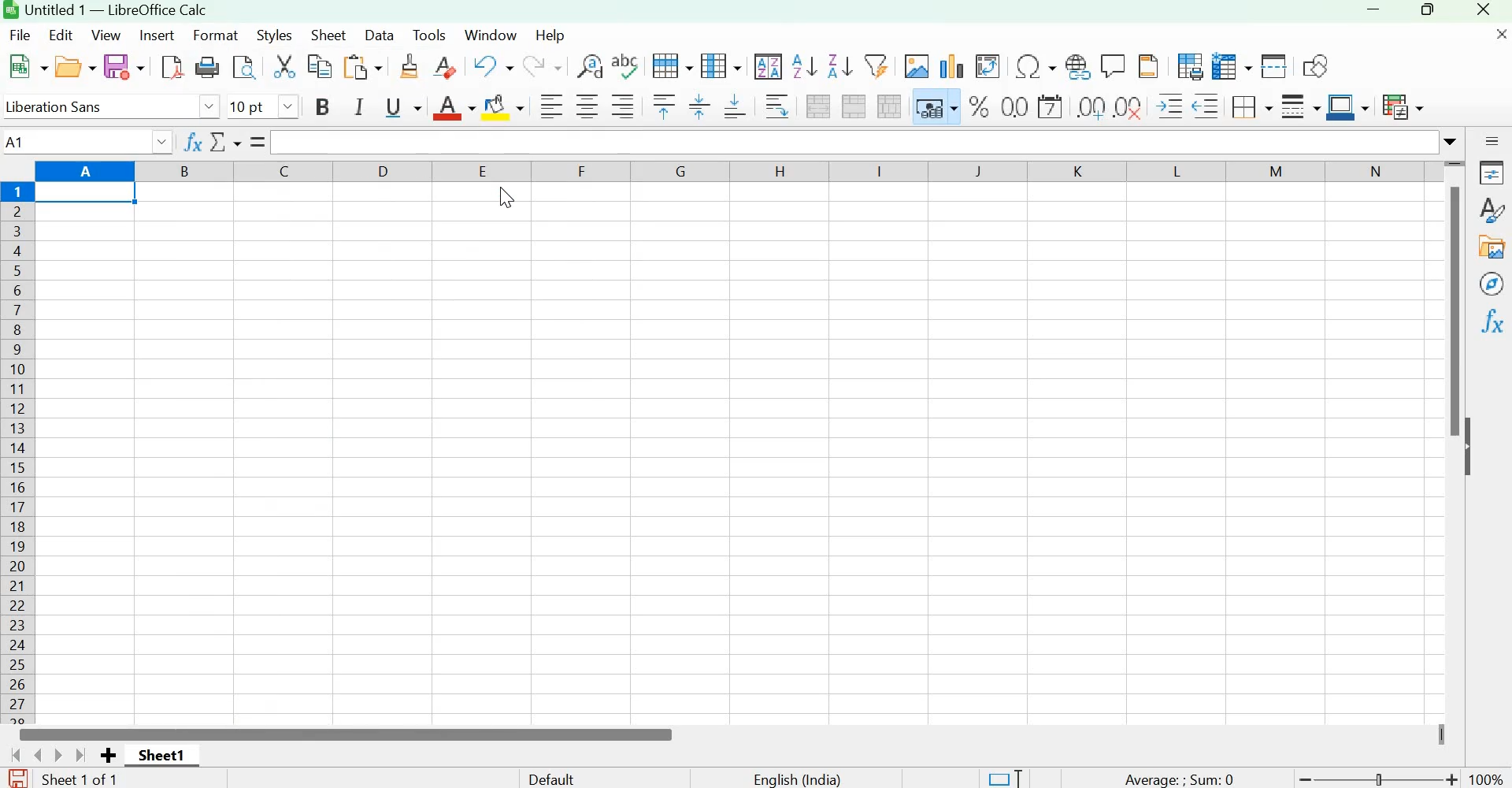 Image resolution: width=1512 pixels, height=788 pixels. Describe the element at coordinates (698, 107) in the screenshot. I see `Center vertically` at that location.